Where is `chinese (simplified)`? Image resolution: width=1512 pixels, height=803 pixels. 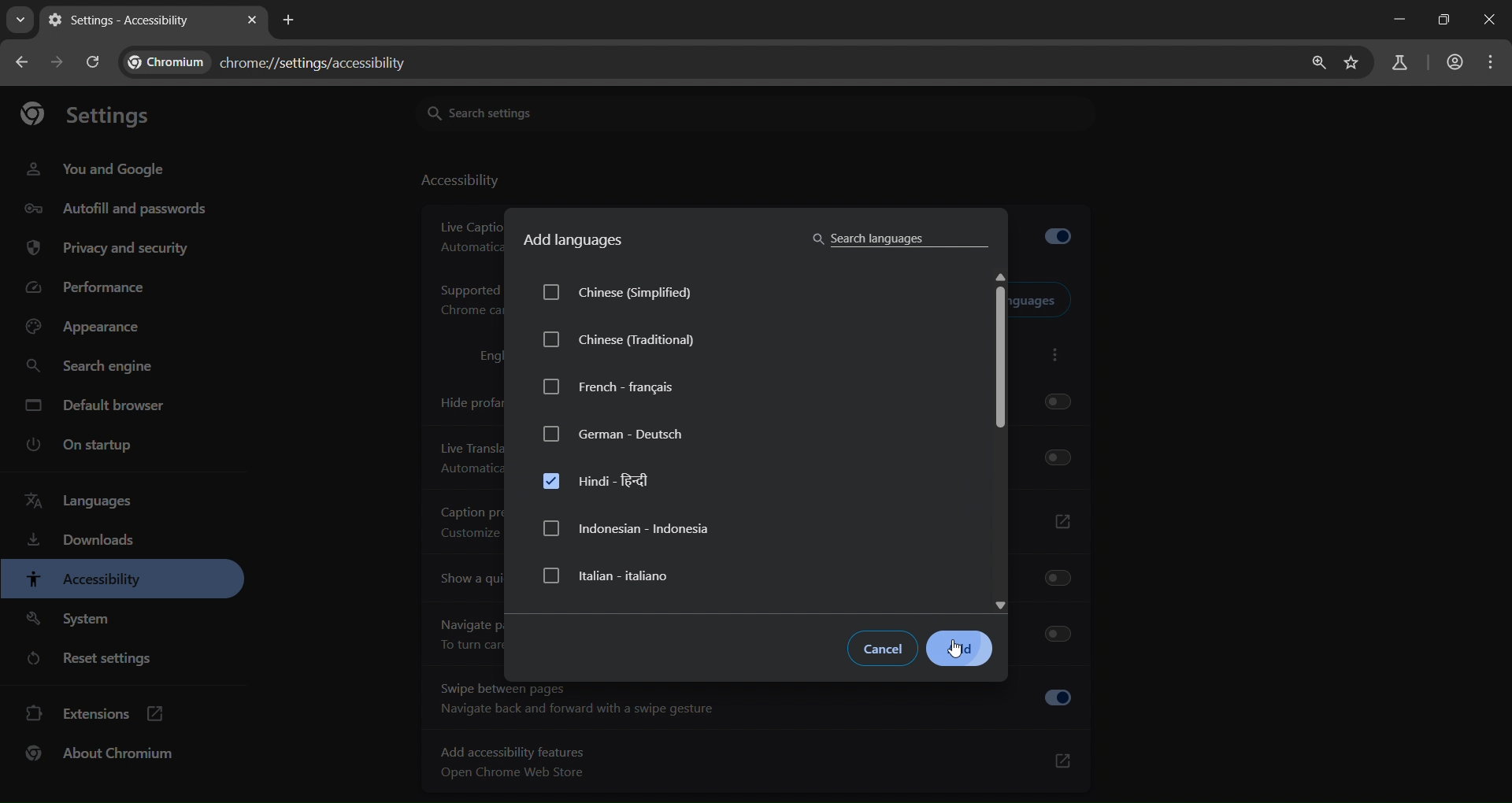 chinese (simplified) is located at coordinates (634, 294).